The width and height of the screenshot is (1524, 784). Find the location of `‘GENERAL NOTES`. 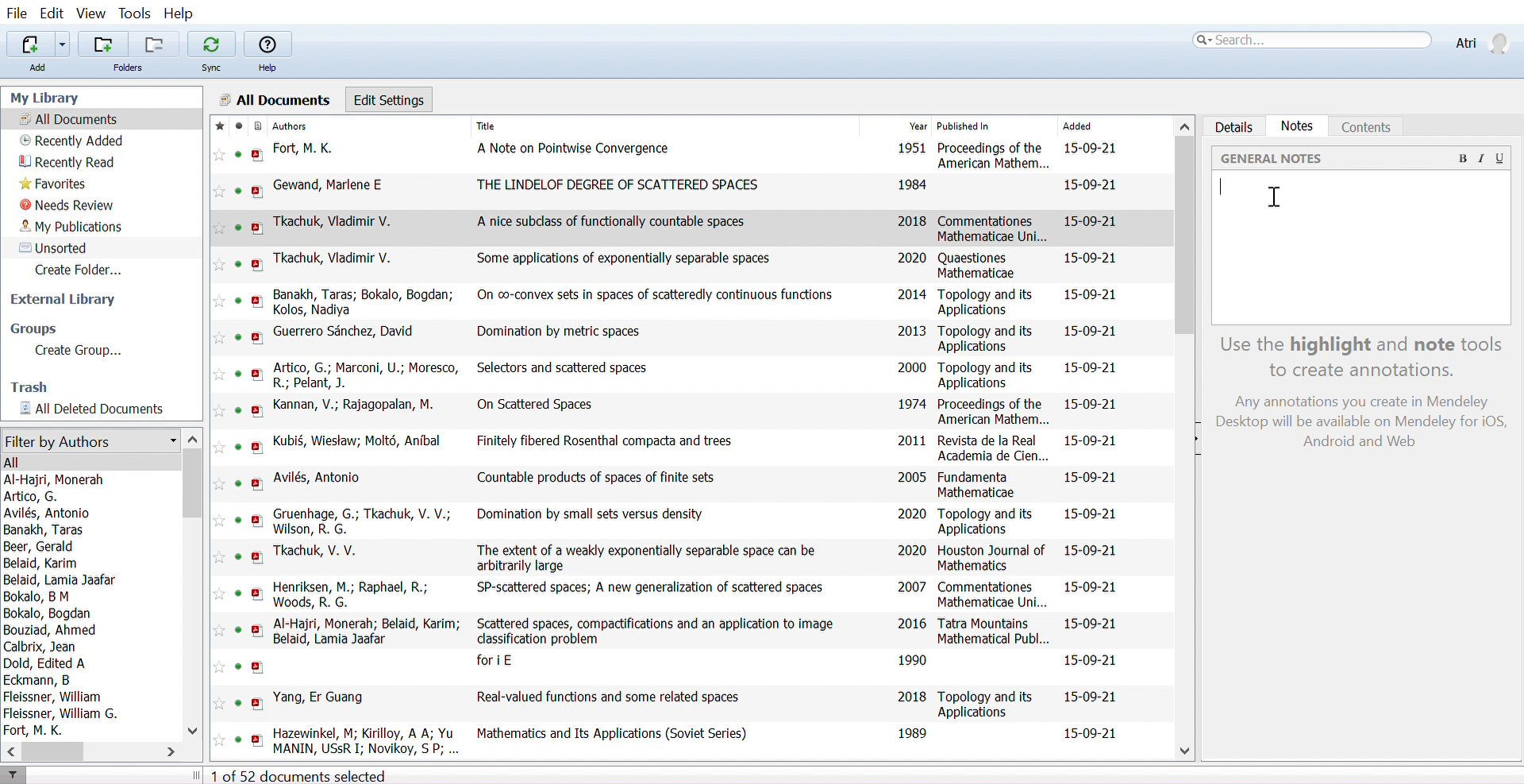

‘GENERAL NOTES is located at coordinates (1271, 157).